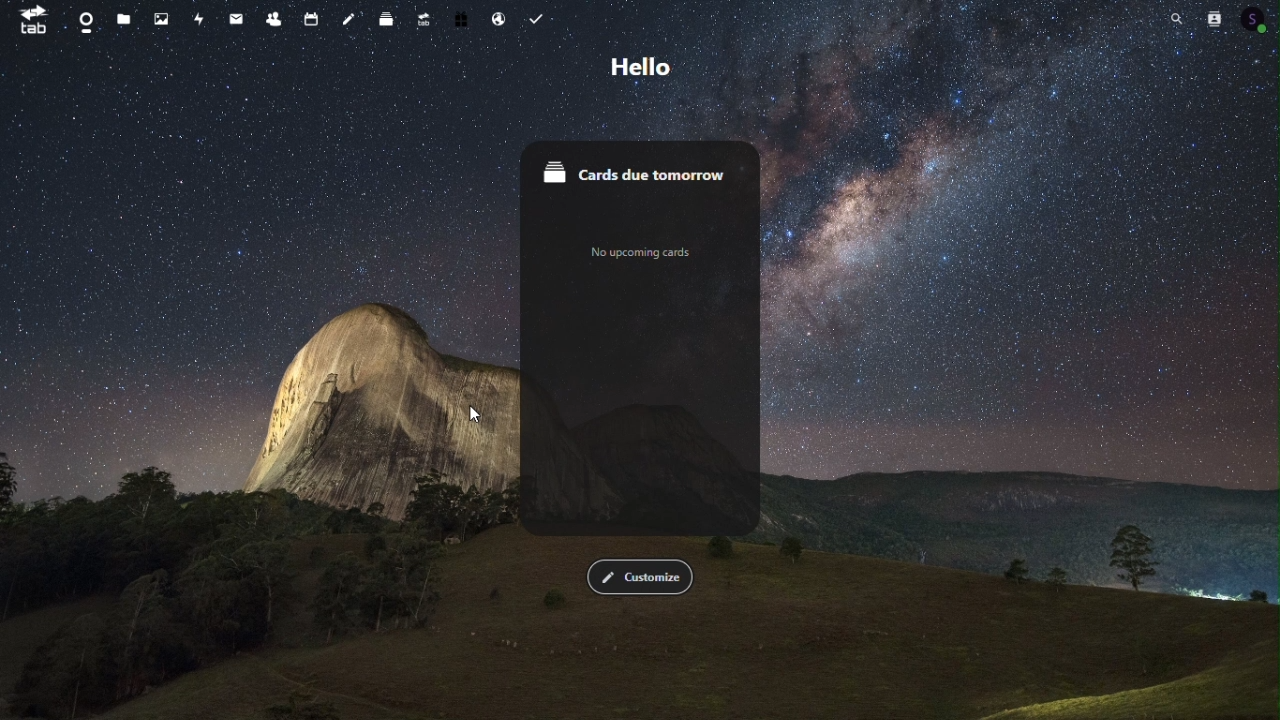 This screenshot has width=1280, height=720. Describe the element at coordinates (460, 17) in the screenshot. I see `Free trial` at that location.